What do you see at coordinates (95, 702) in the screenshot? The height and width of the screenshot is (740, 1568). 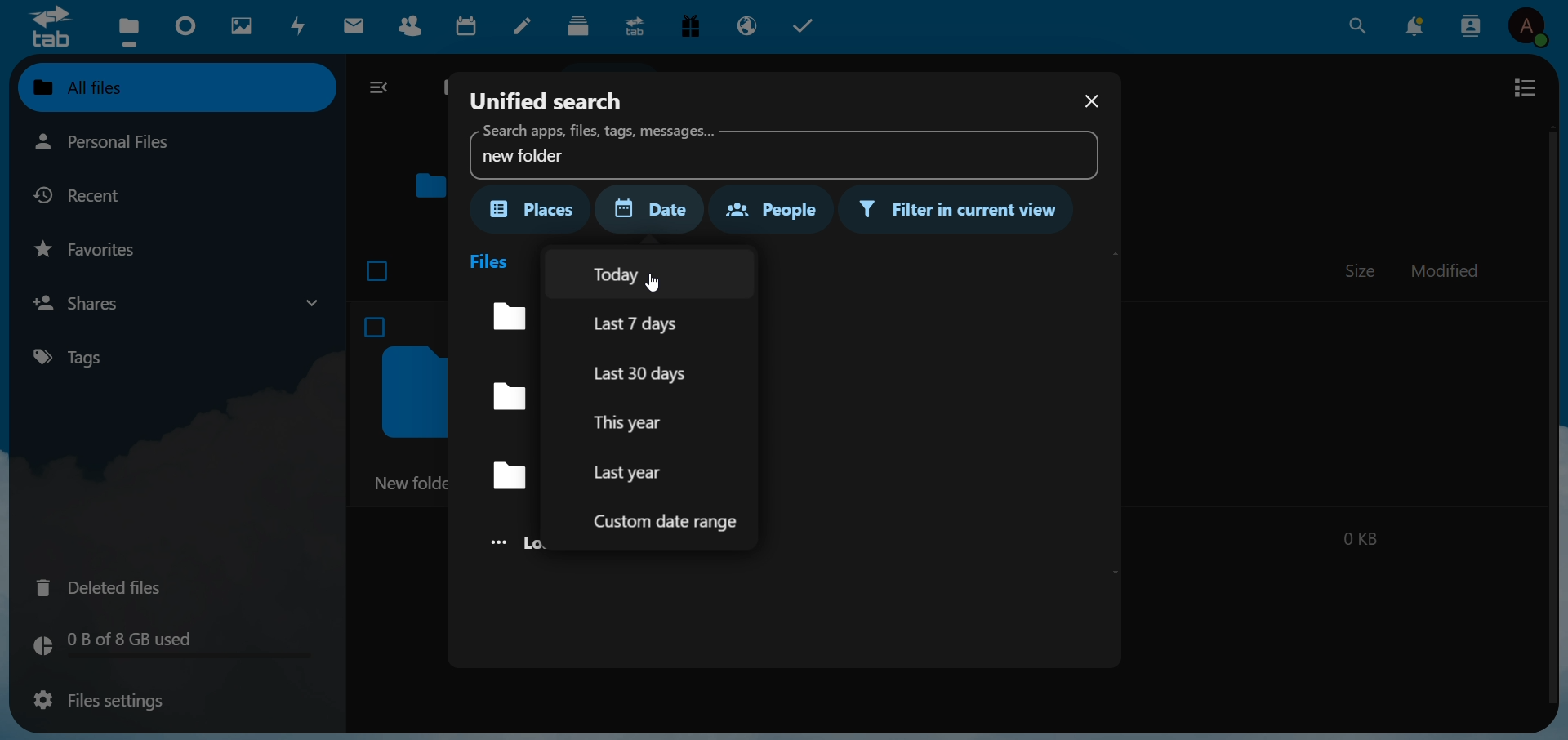 I see `files setting` at bounding box center [95, 702].